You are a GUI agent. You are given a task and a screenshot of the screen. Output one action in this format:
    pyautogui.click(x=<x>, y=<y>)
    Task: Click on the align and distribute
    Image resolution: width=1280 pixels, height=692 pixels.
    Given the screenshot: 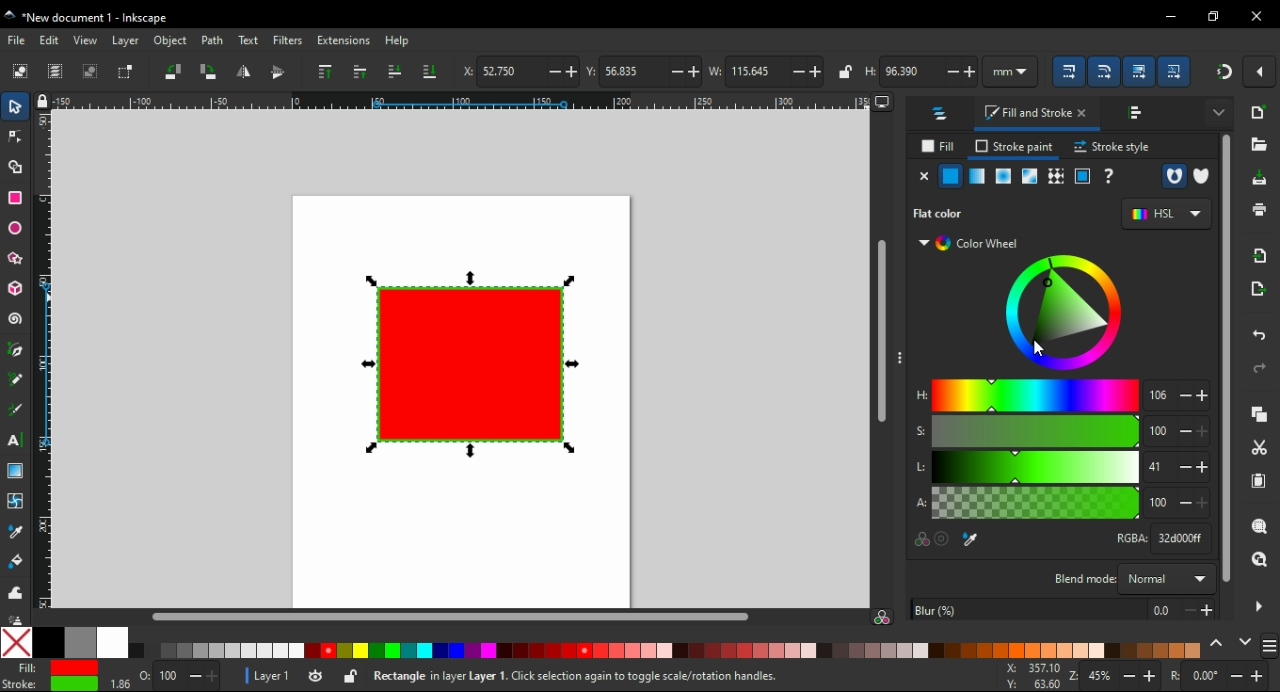 What is the action you would take?
    pyautogui.click(x=1137, y=114)
    